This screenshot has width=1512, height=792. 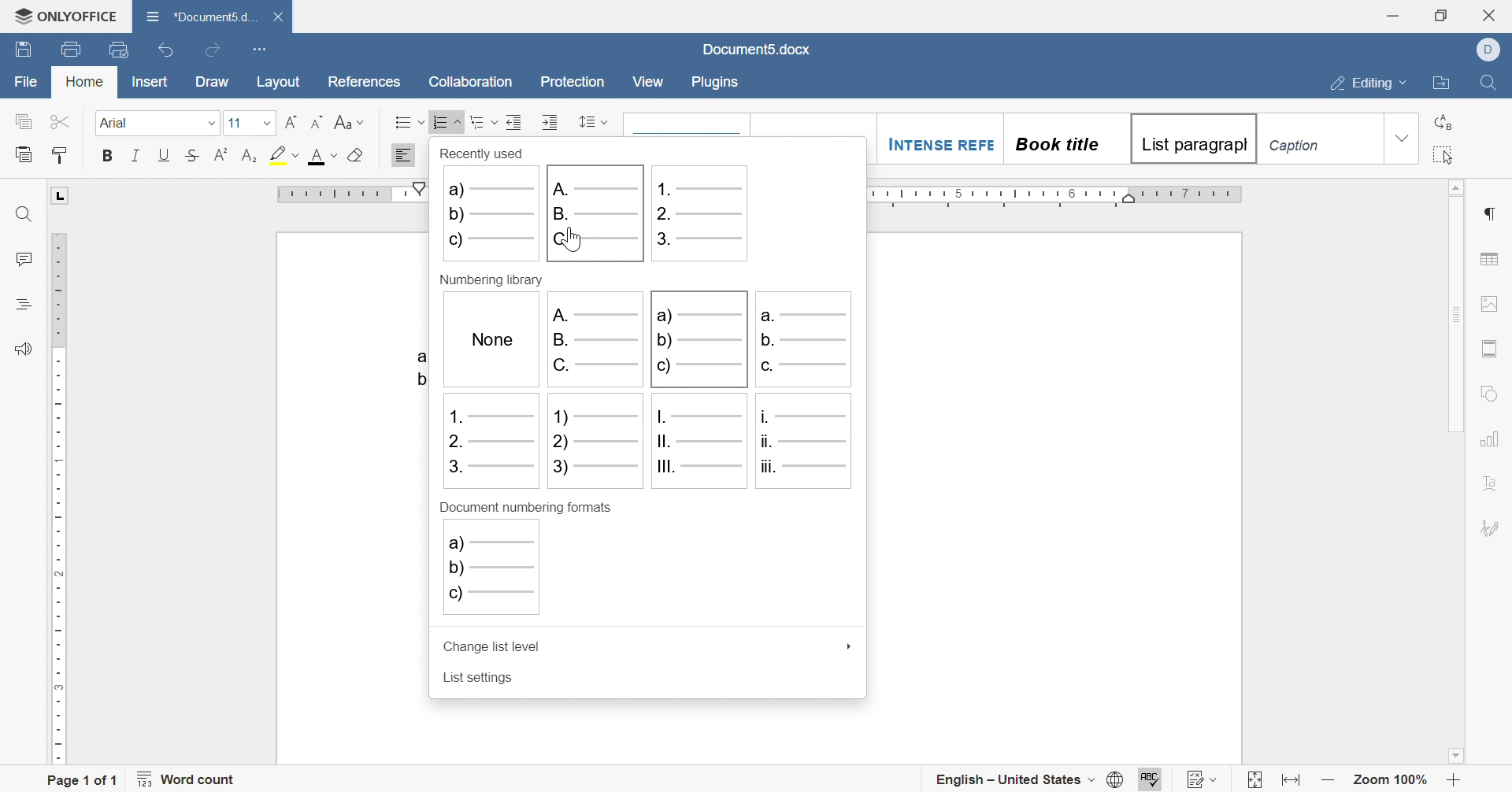 What do you see at coordinates (23, 257) in the screenshot?
I see `comments` at bounding box center [23, 257].